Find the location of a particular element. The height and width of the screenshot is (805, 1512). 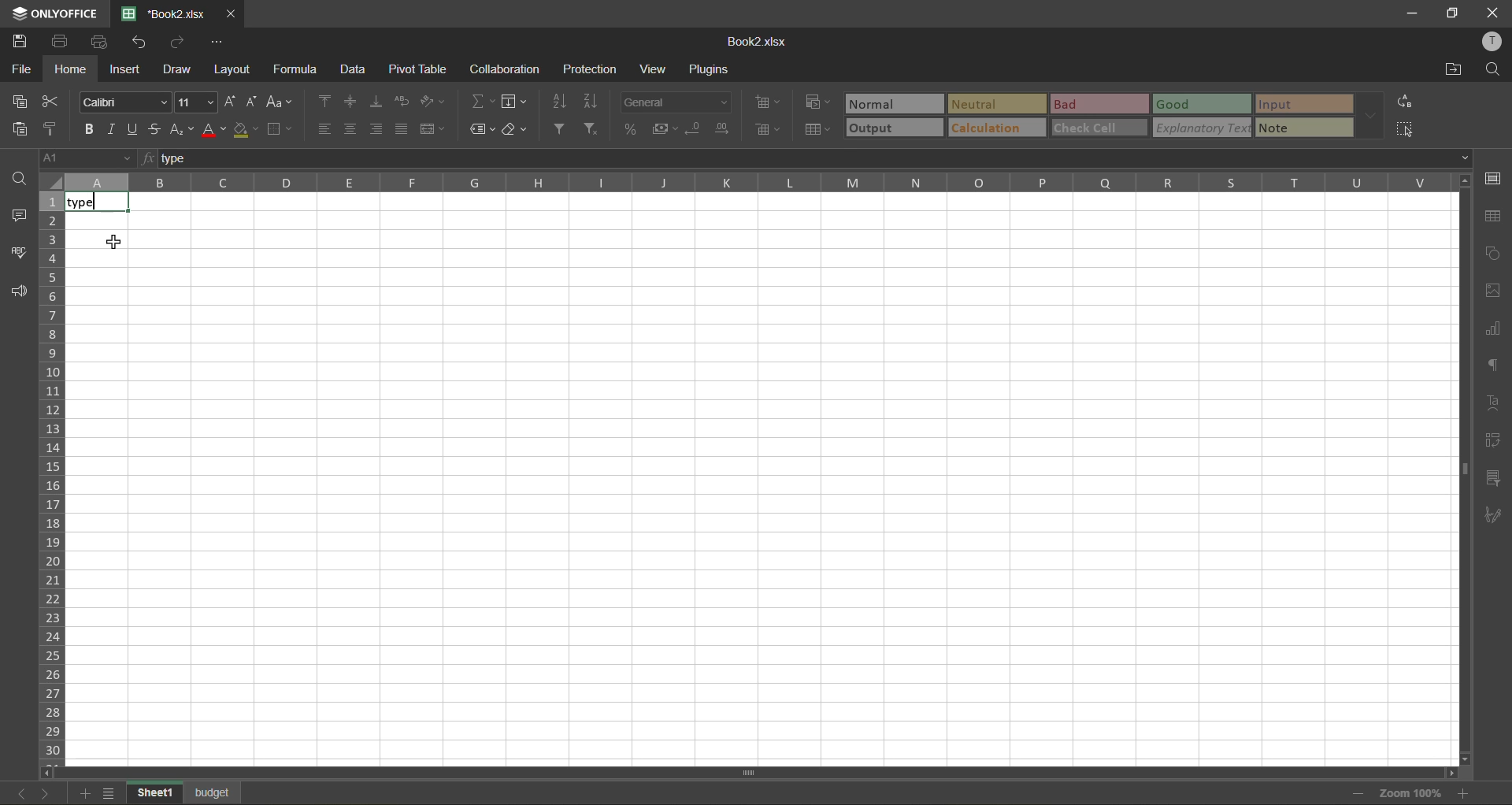

pivot table is located at coordinates (1493, 441).